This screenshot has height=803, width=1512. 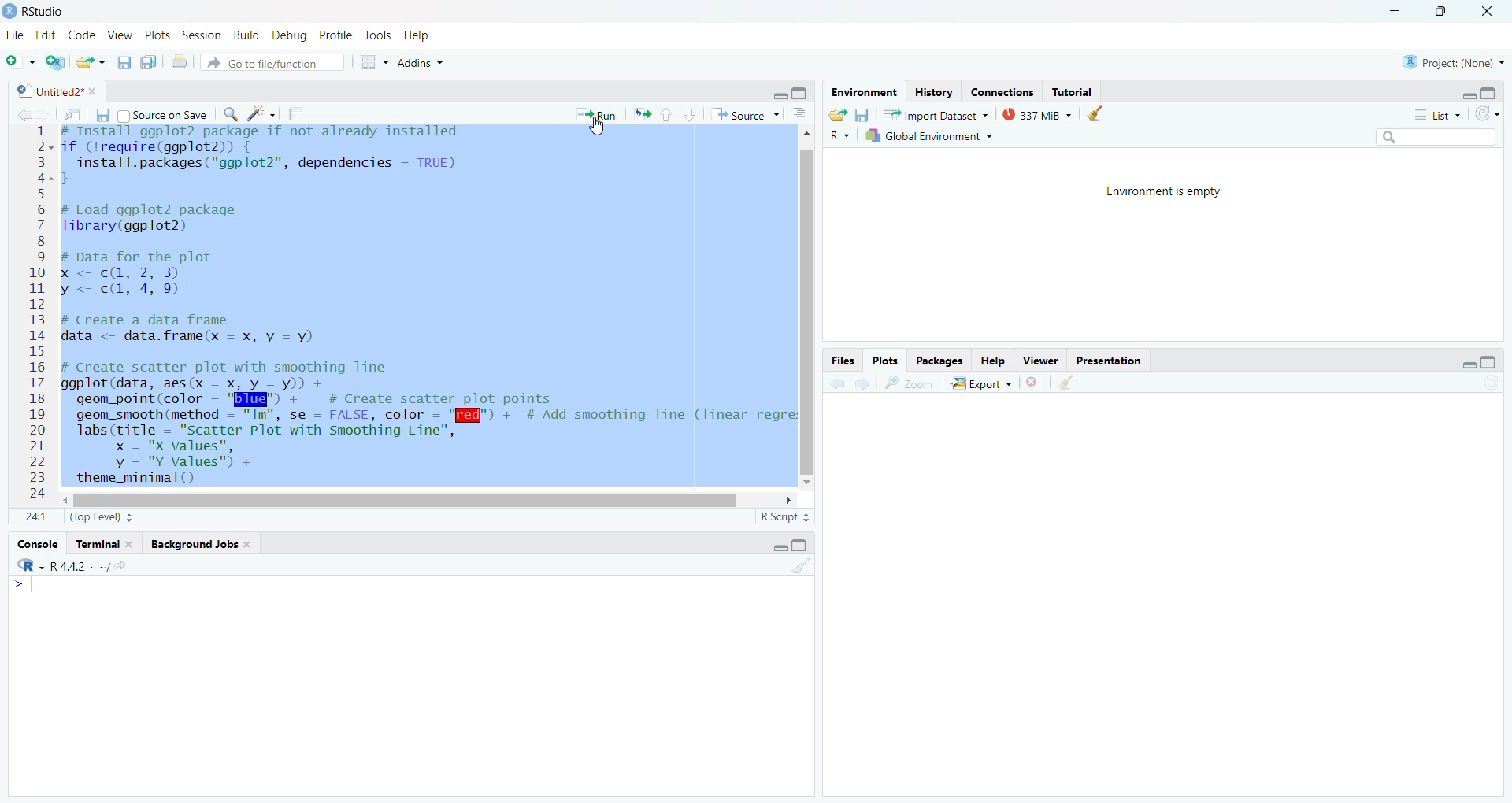 What do you see at coordinates (776, 545) in the screenshot?
I see `hide r script` at bounding box center [776, 545].